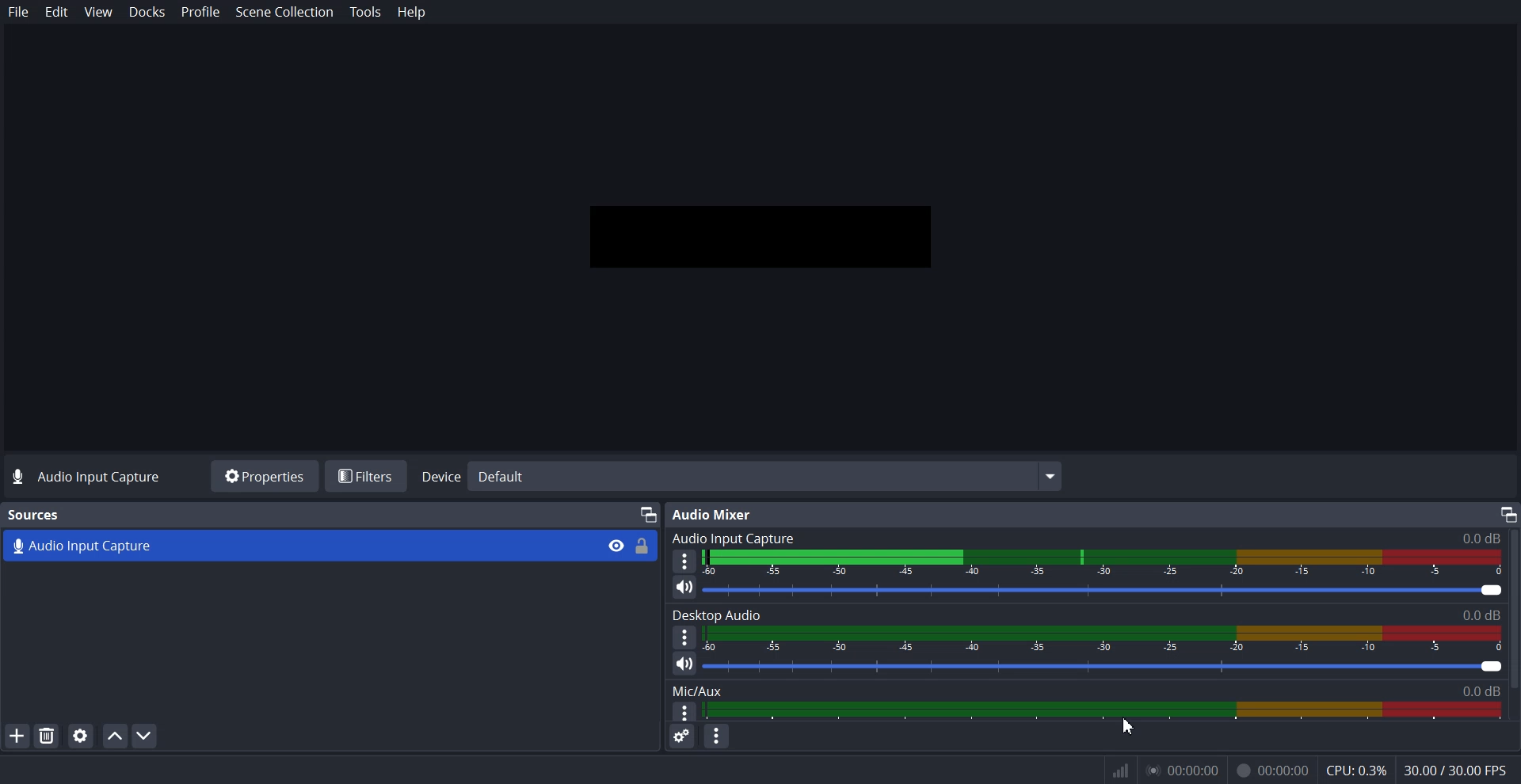 The image size is (1521, 784). Describe the element at coordinates (145, 735) in the screenshot. I see `Move Source down` at that location.